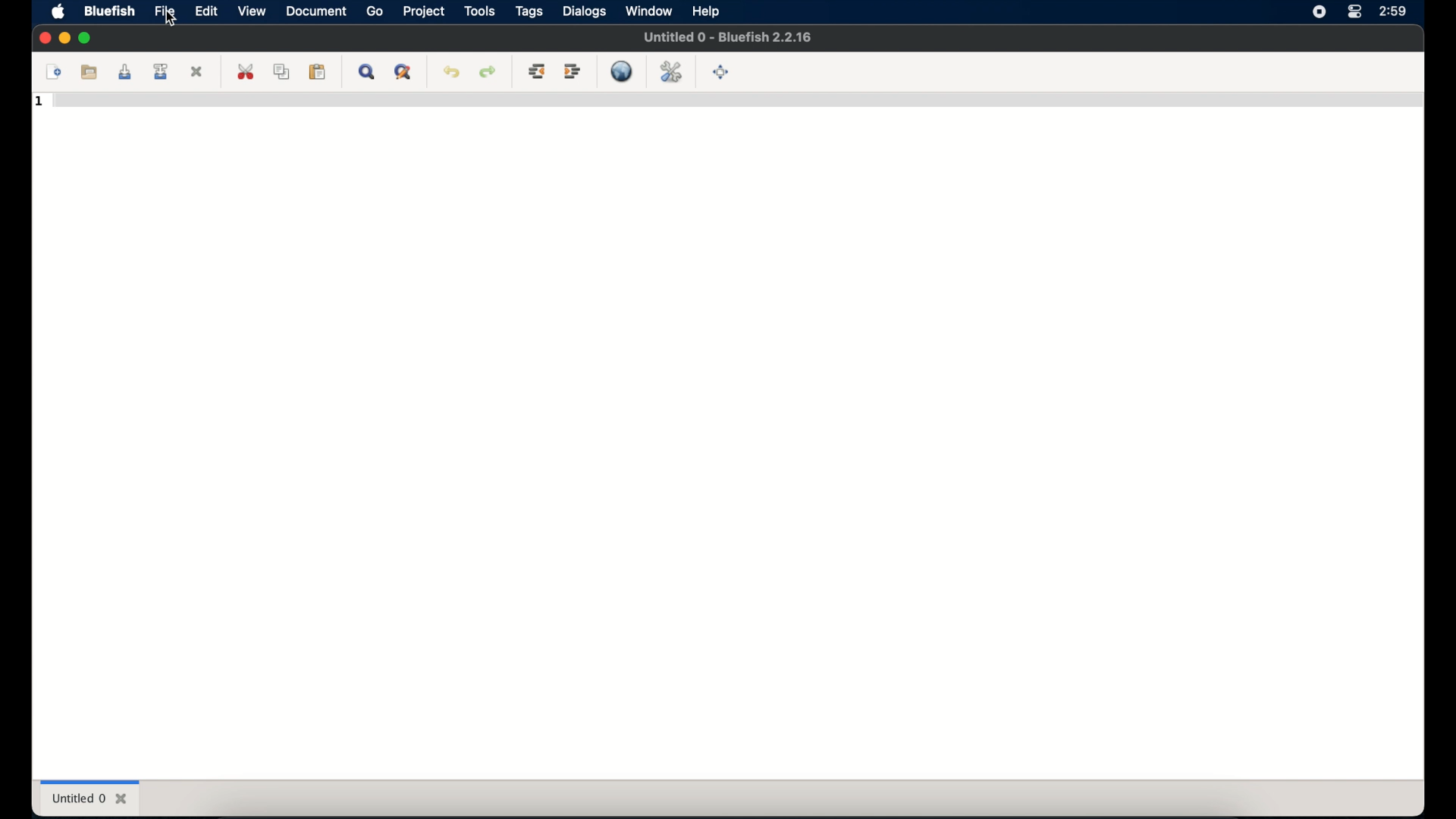  I want to click on project, so click(425, 11).